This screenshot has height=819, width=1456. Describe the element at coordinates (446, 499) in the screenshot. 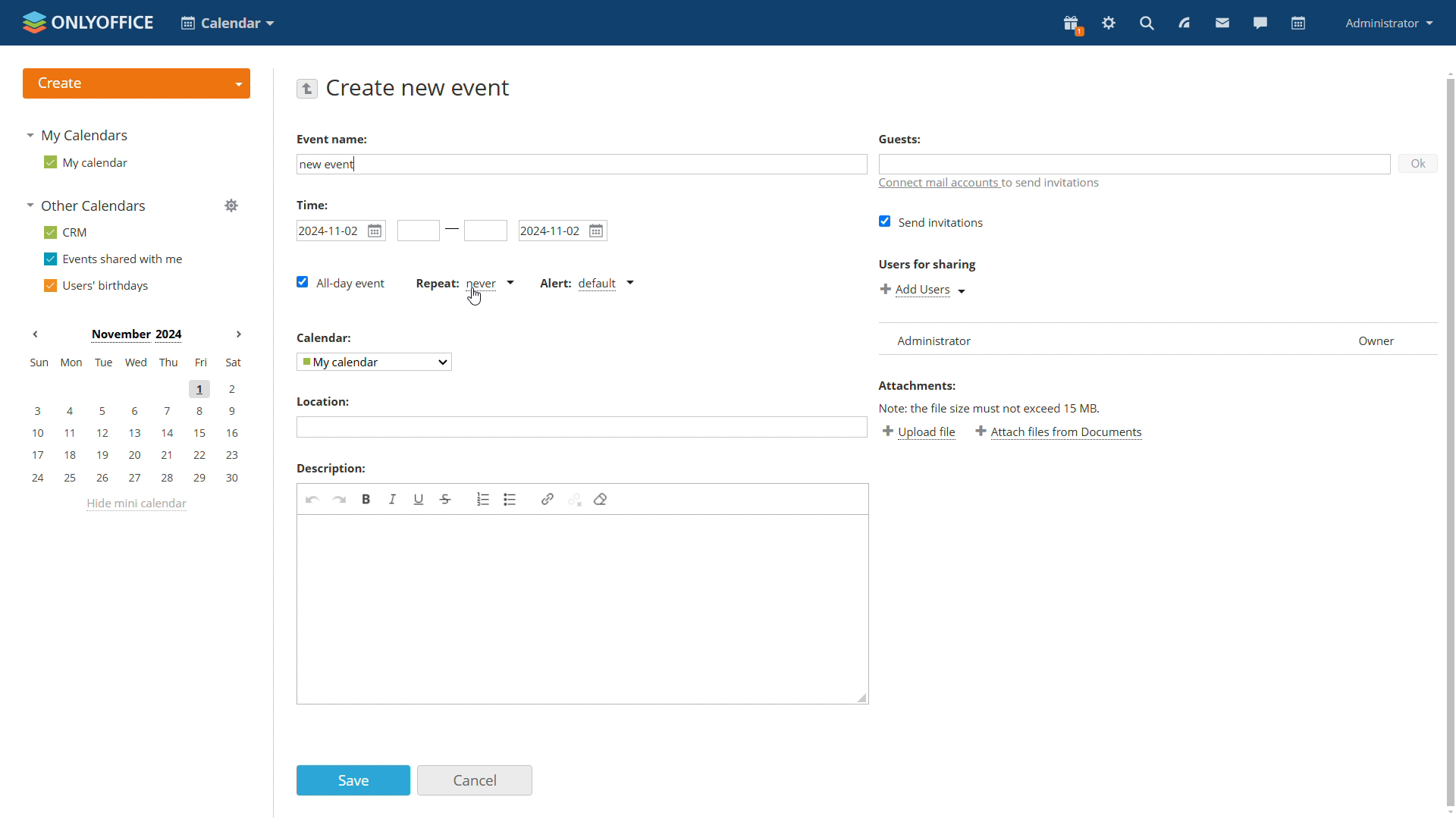

I see `strikethrough` at that location.